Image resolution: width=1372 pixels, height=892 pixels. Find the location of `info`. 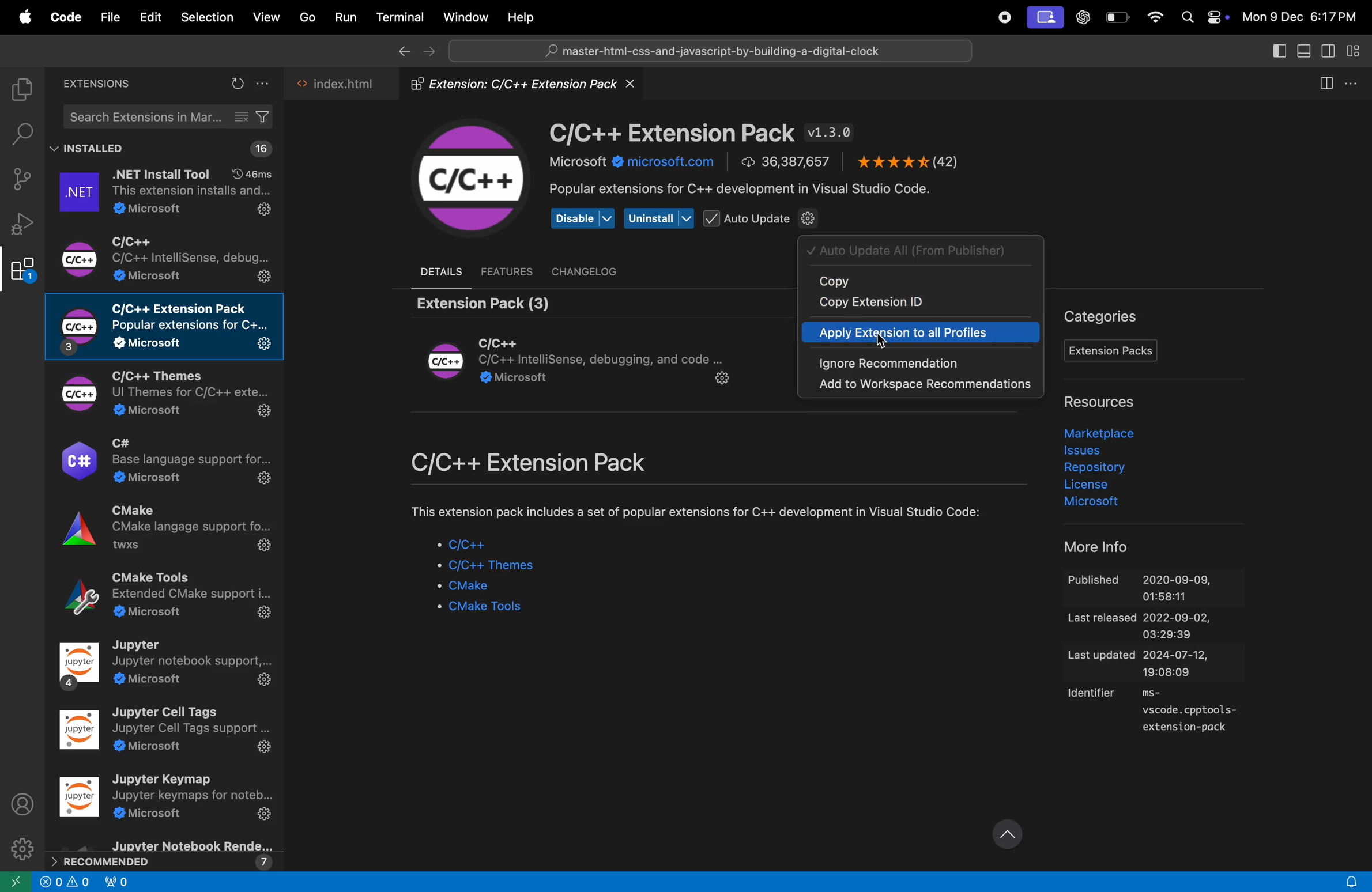

info is located at coordinates (66, 884).